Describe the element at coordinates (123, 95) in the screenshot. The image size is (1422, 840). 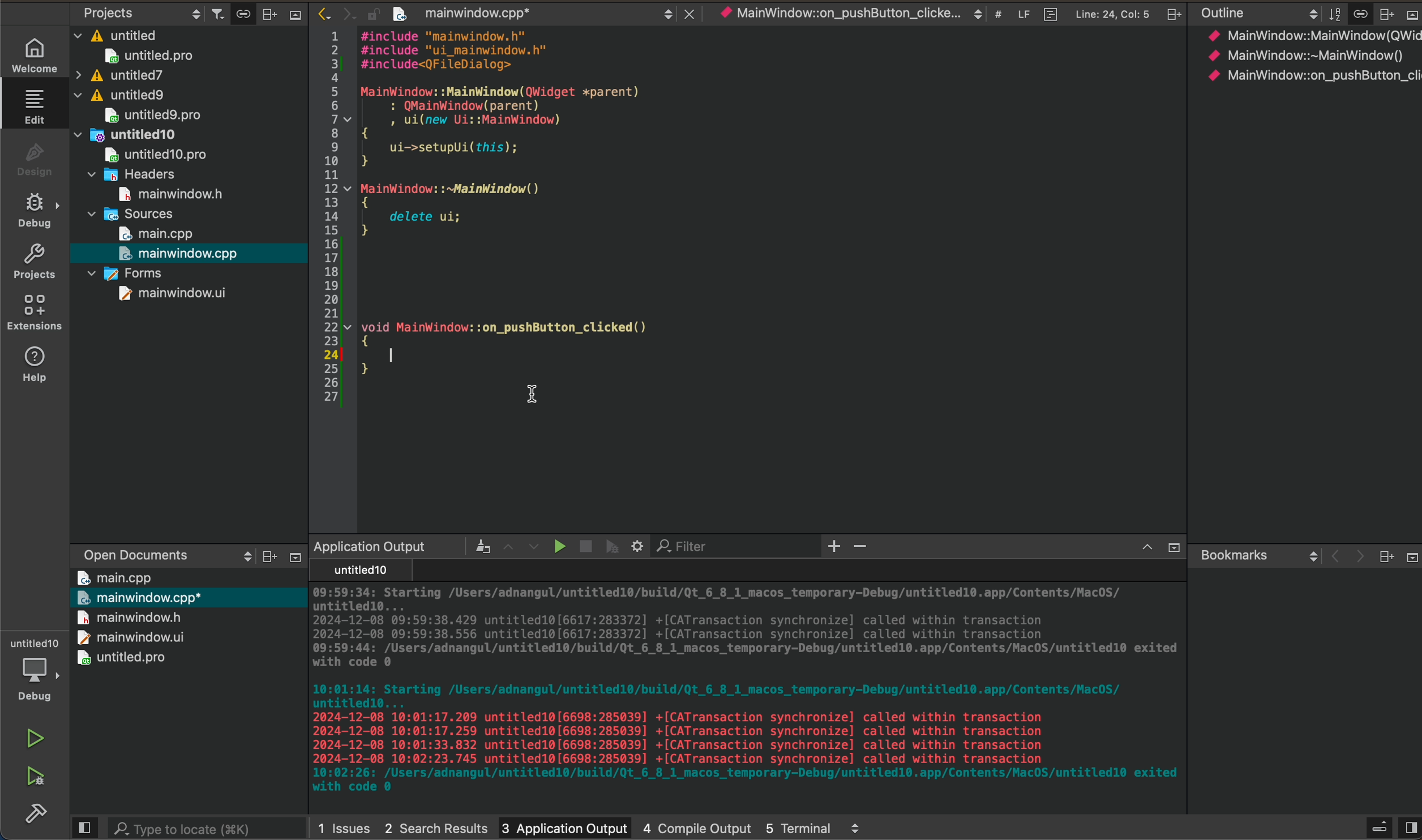
I see `untitled9` at that location.